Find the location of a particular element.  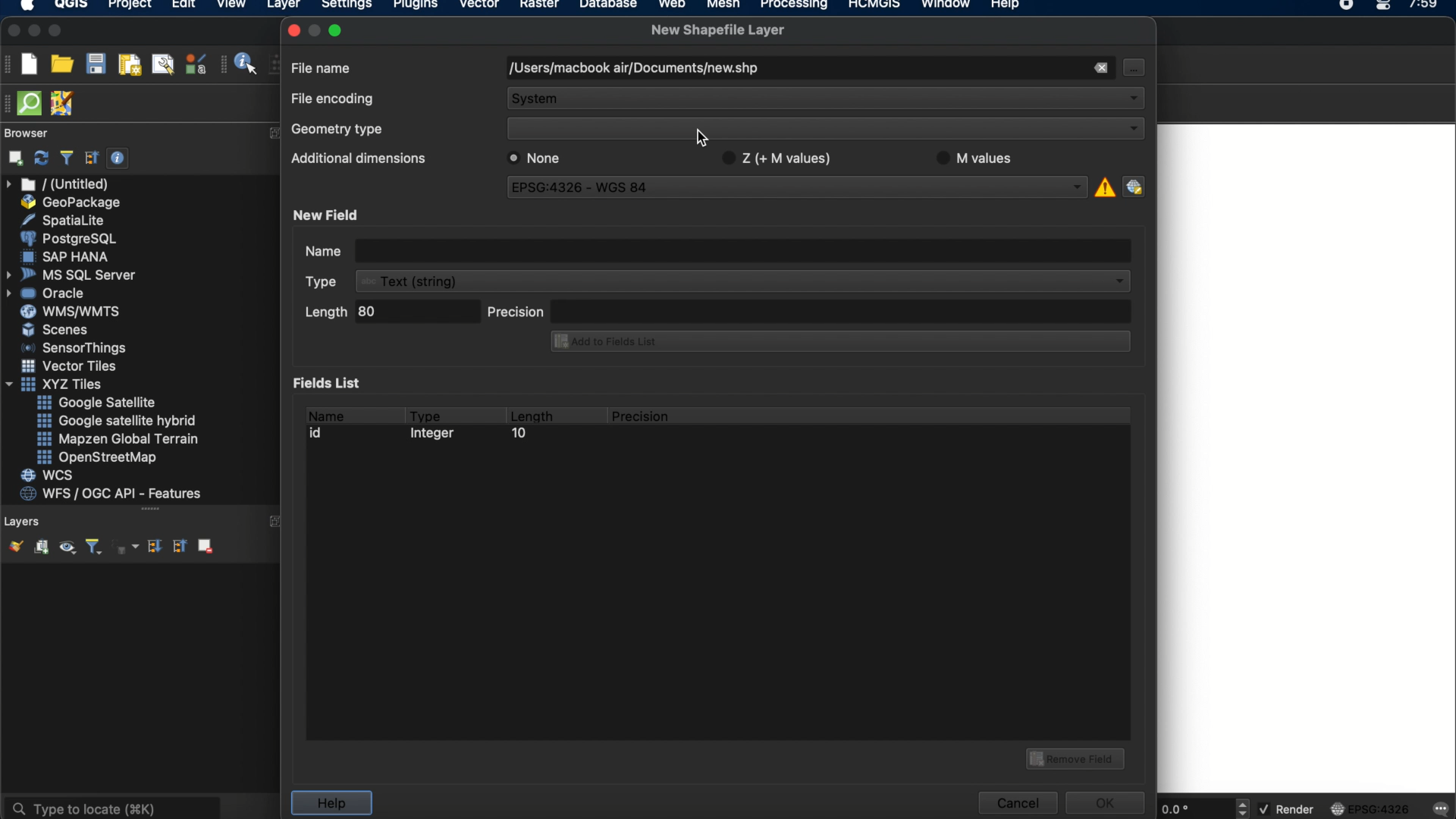

file name, type, location is located at coordinates (632, 69).